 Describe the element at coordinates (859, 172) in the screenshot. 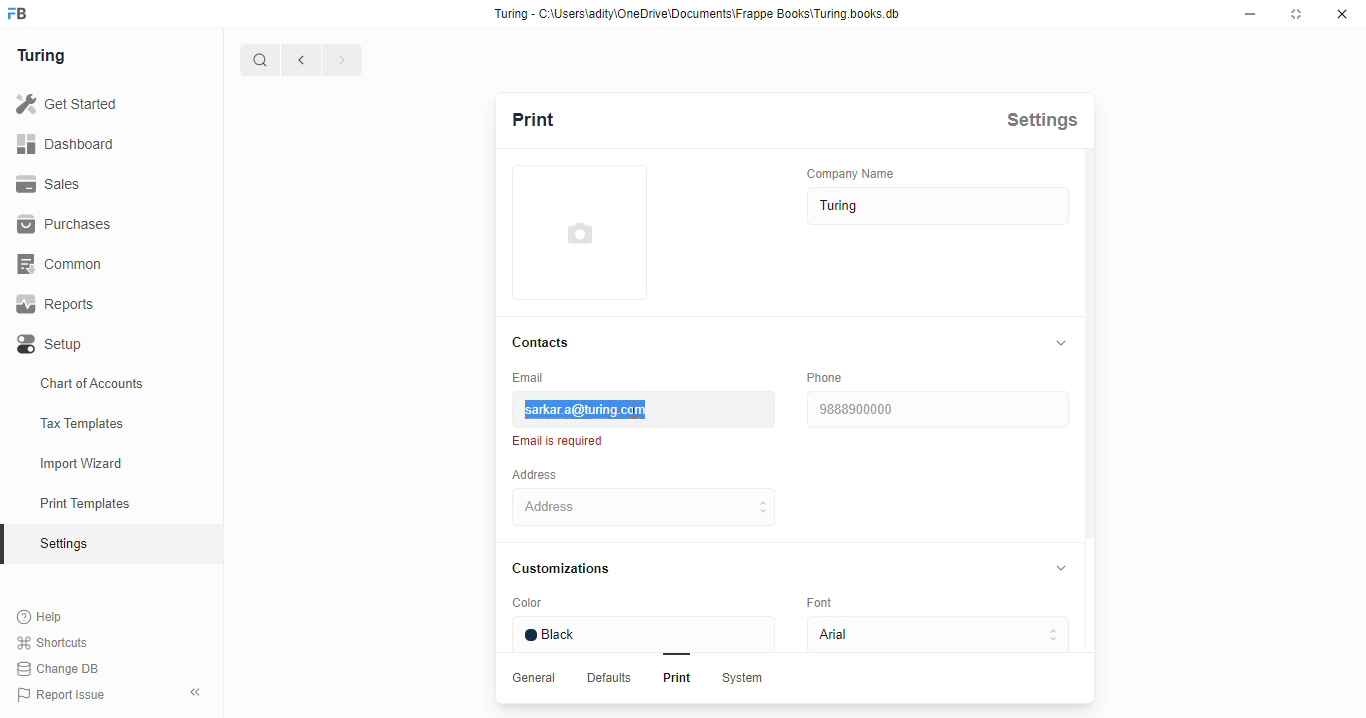

I see `‘Company Name` at that location.